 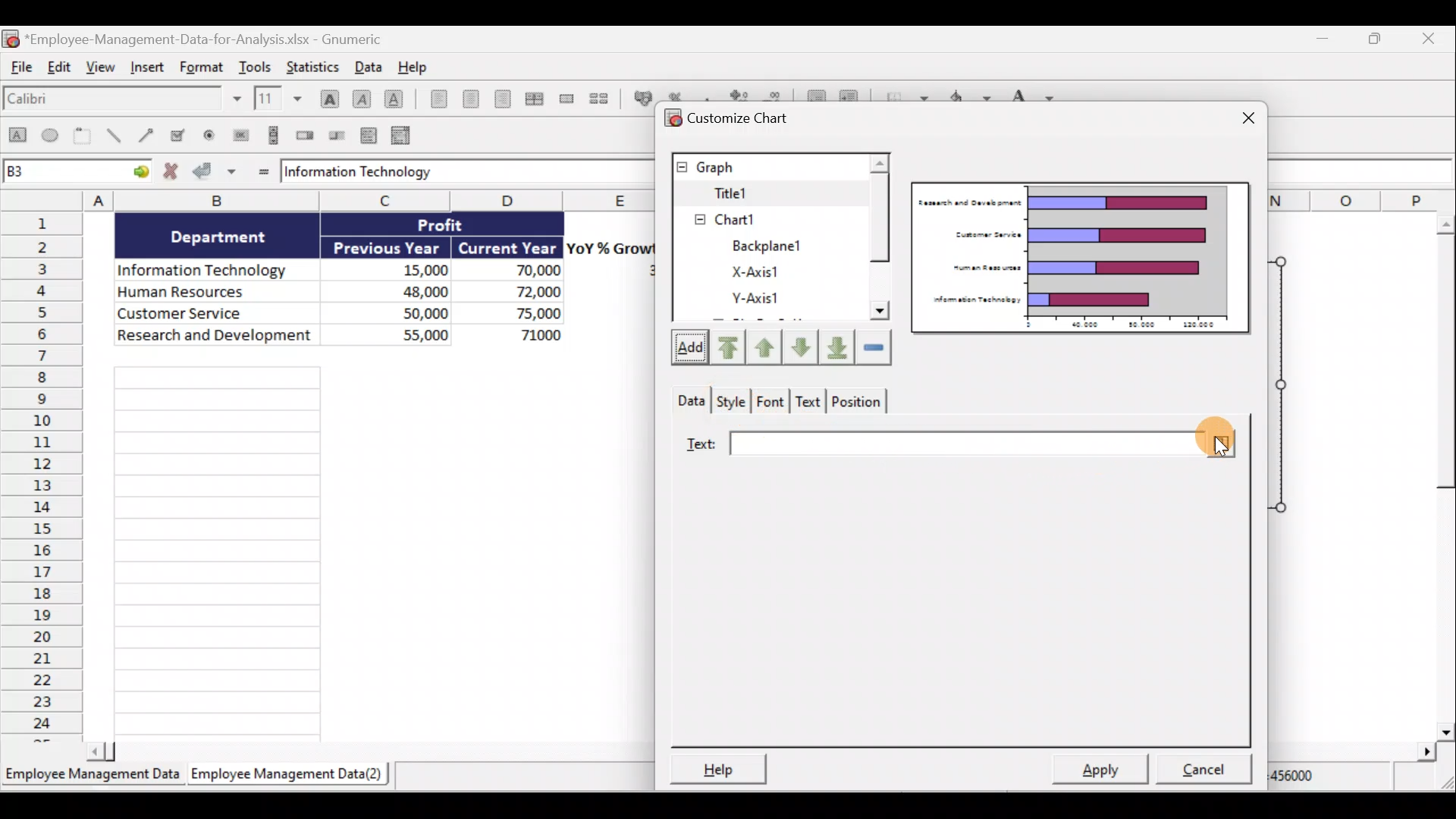 I want to click on *Employee-Management-Data-for-Analysis.xlsx - Gnumeric, so click(x=214, y=39).